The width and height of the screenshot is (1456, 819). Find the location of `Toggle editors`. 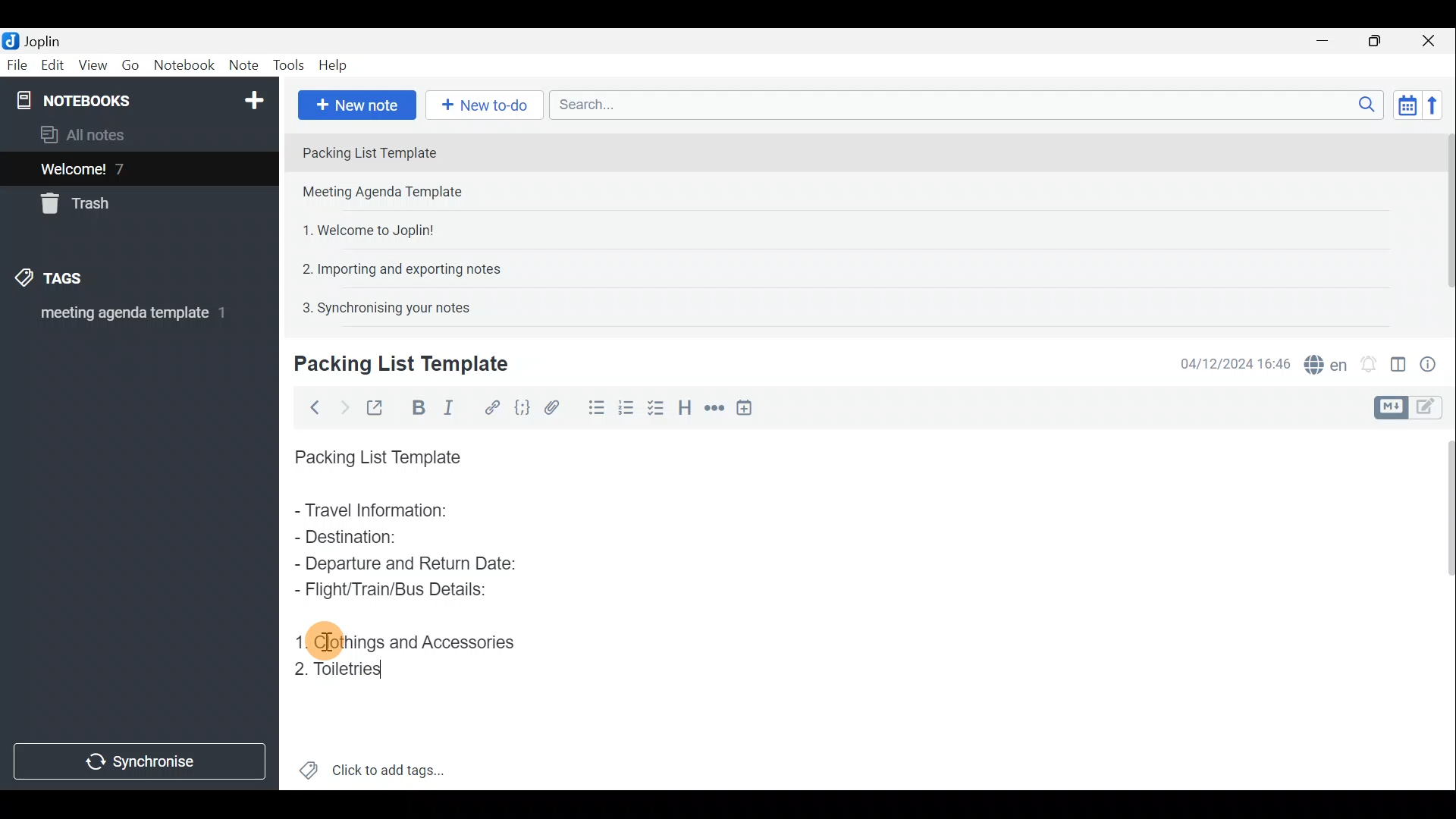

Toggle editors is located at coordinates (1433, 409).